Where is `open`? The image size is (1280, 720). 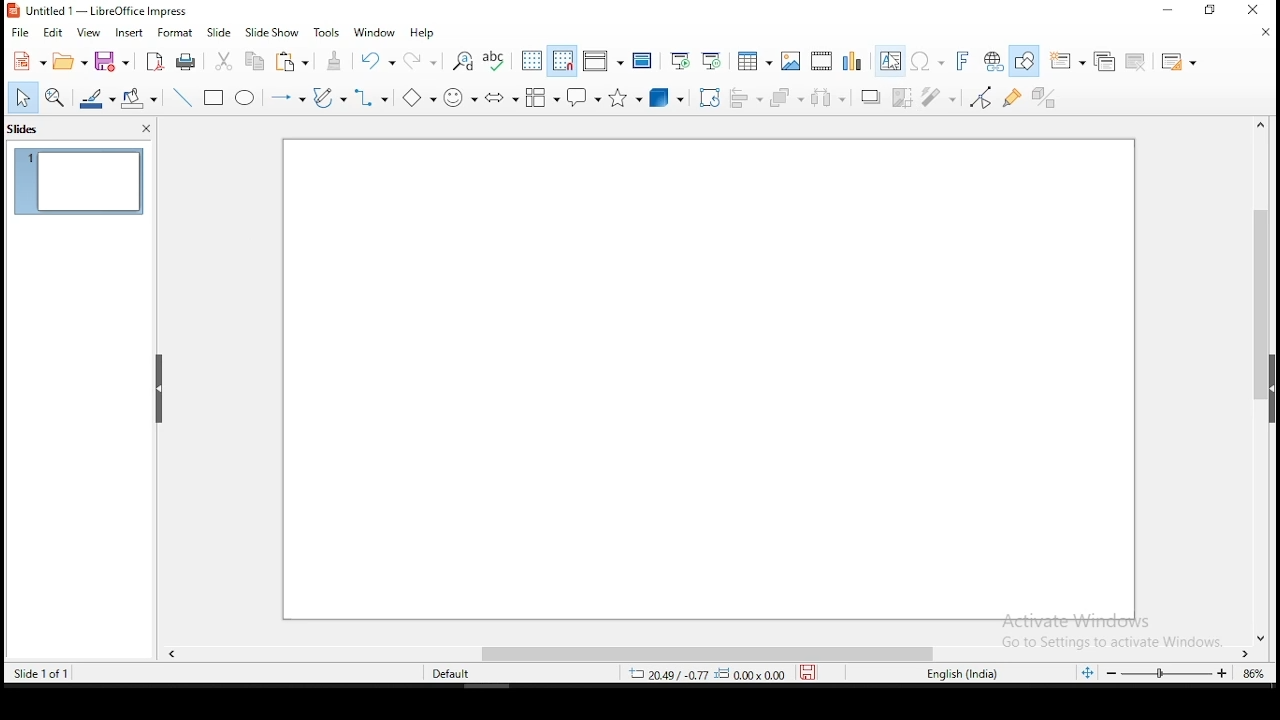
open is located at coordinates (69, 63).